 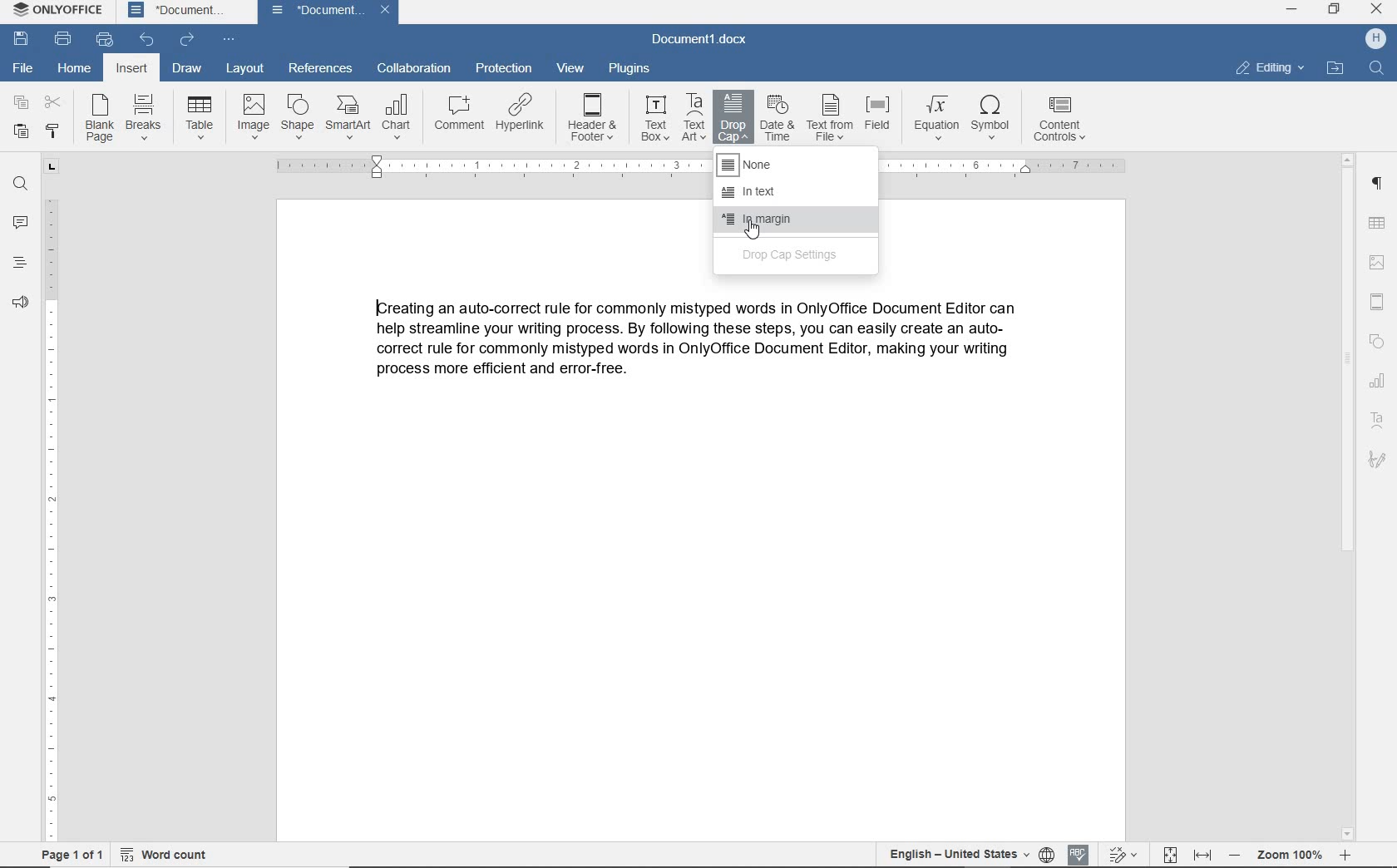 I want to click on in margin, so click(x=797, y=218).